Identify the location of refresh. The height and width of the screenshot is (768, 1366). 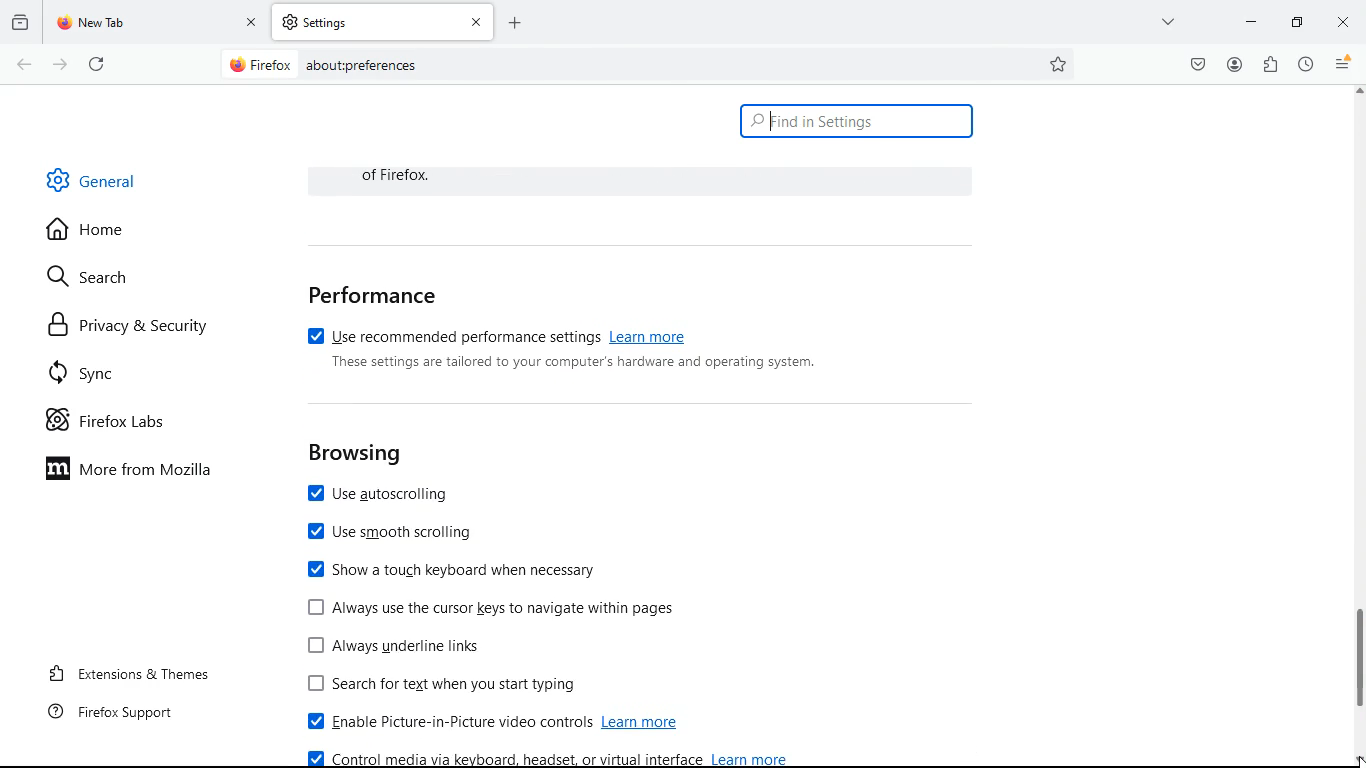
(97, 63).